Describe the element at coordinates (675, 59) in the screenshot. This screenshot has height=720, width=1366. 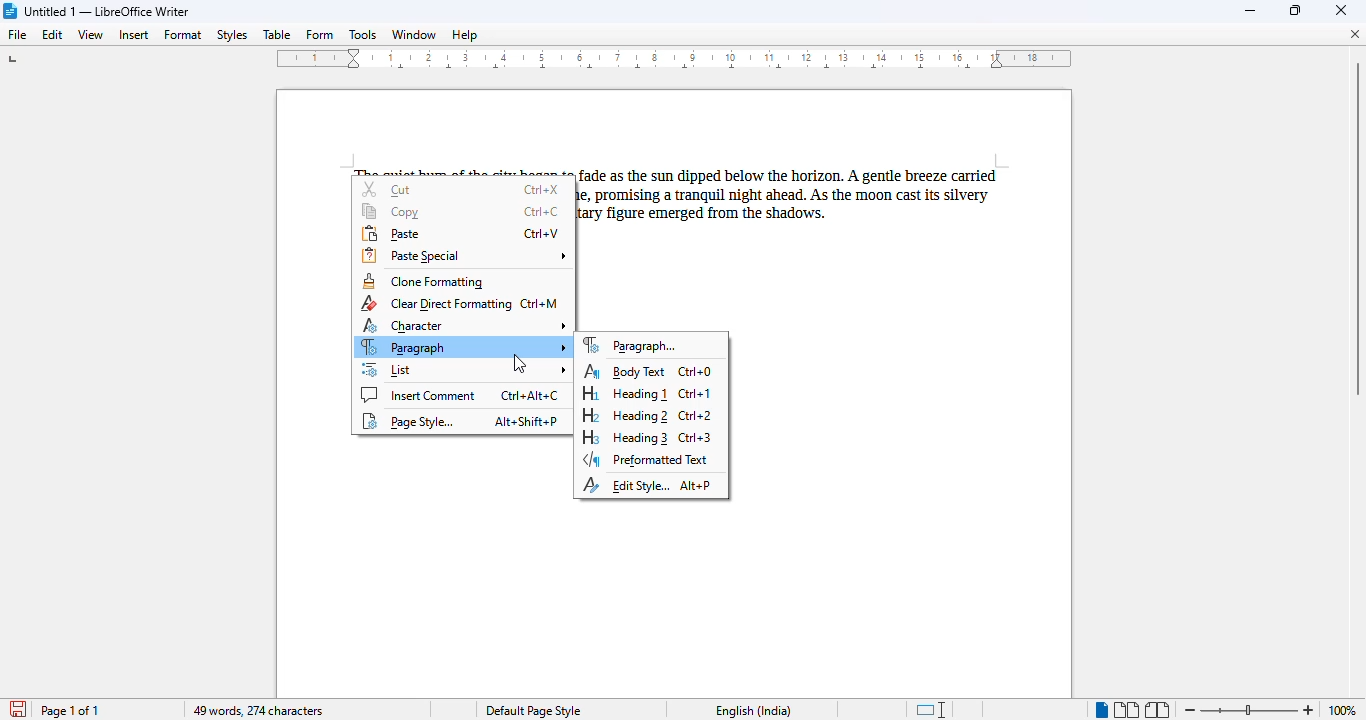
I see `ruler` at that location.